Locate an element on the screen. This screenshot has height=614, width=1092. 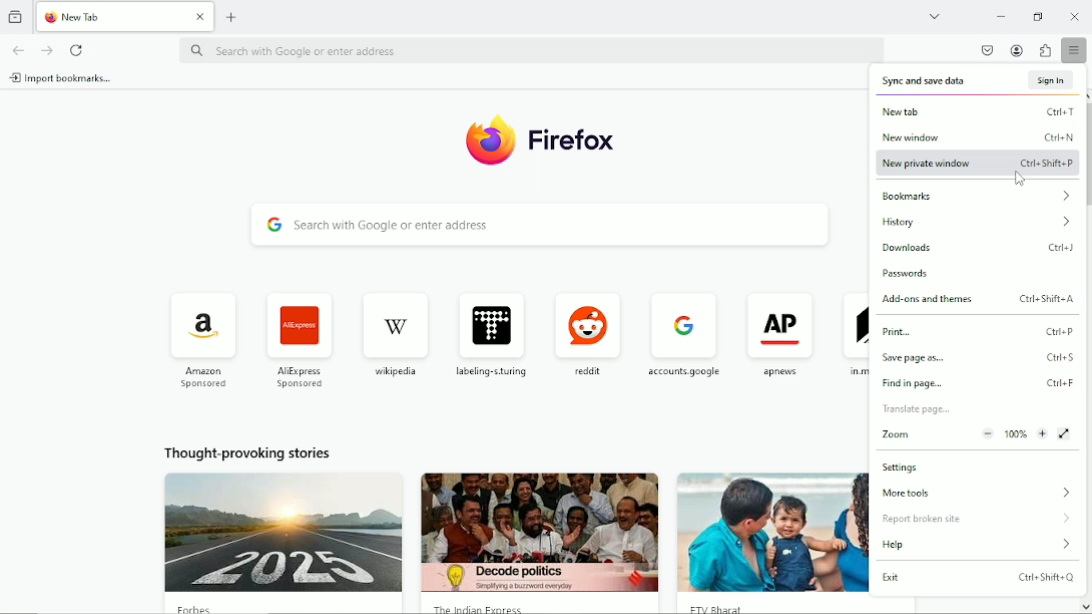
new tab is located at coordinates (232, 16).